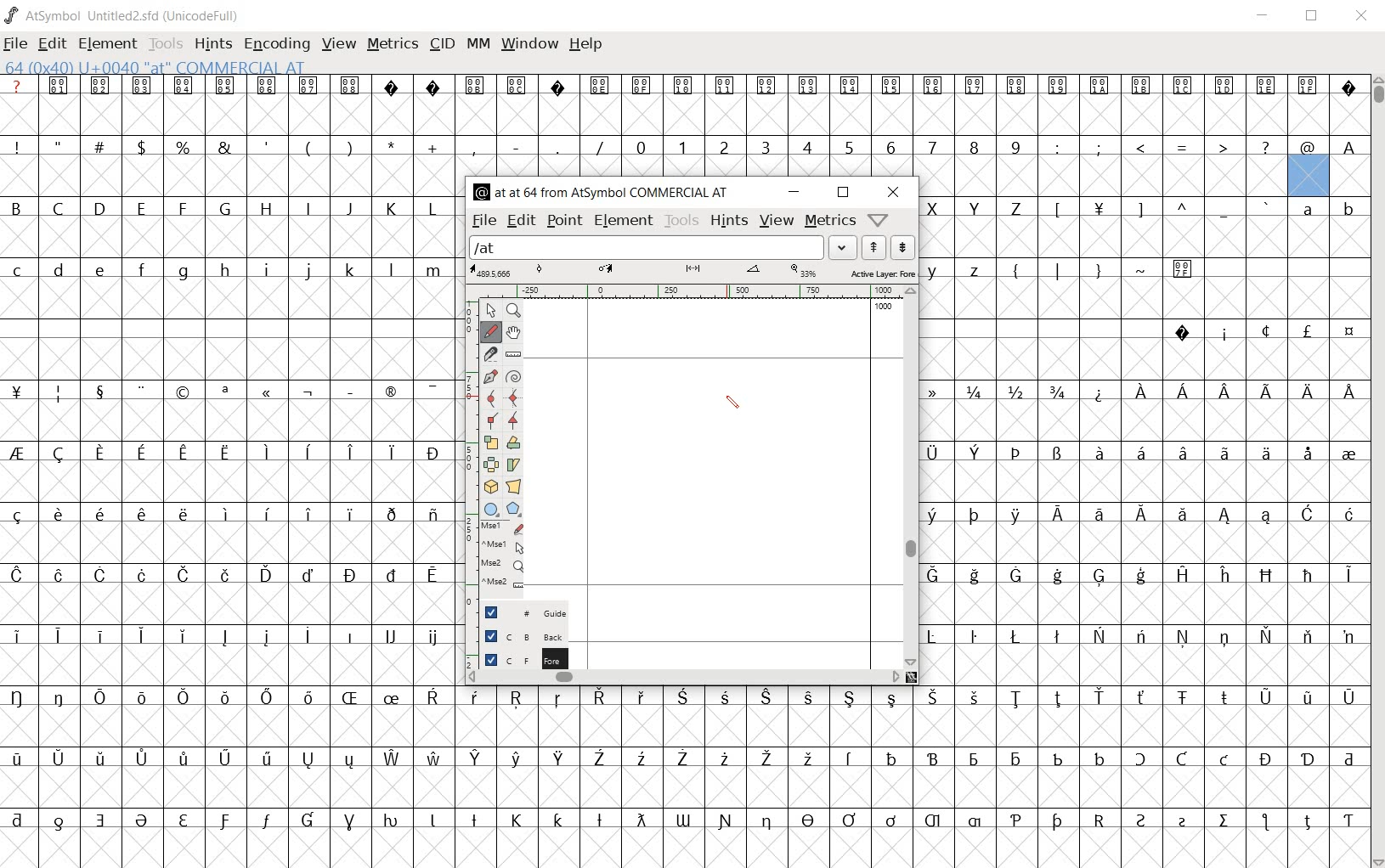  I want to click on MM, so click(478, 43).